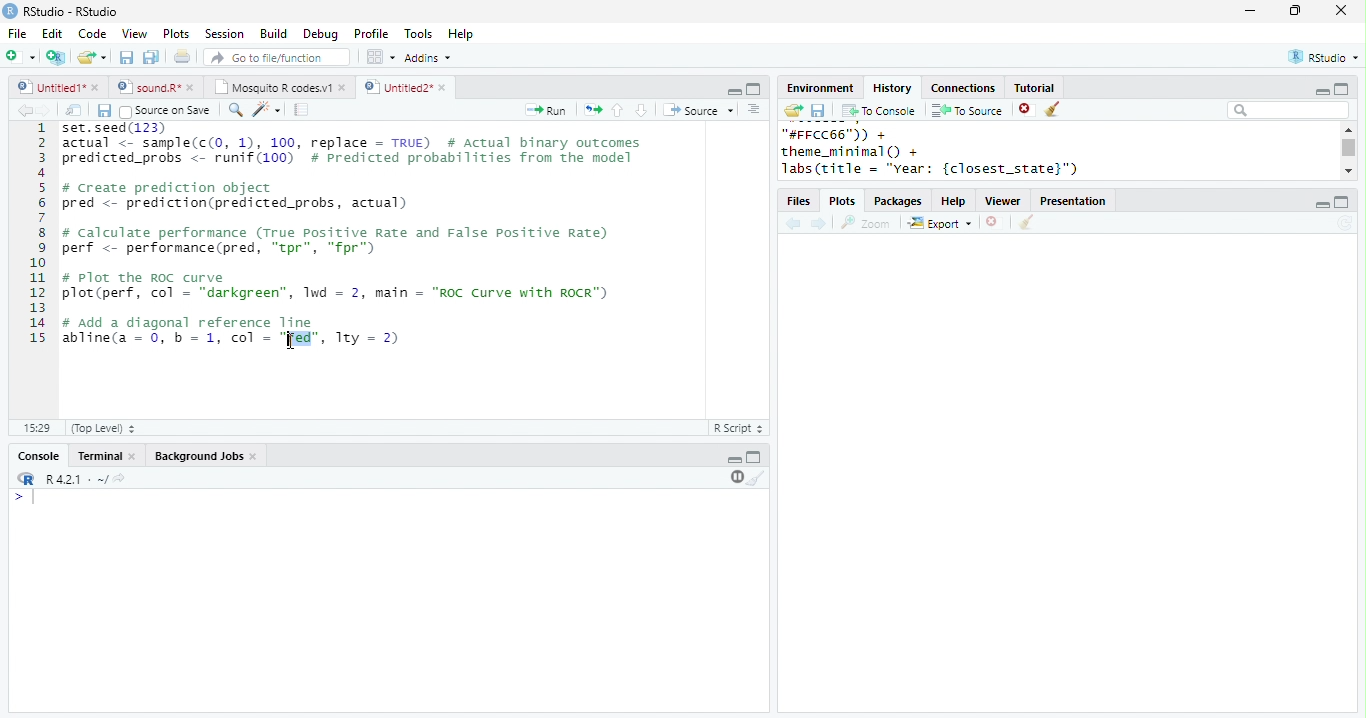 Image resolution: width=1366 pixels, height=718 pixels. What do you see at coordinates (126, 57) in the screenshot?
I see `save` at bounding box center [126, 57].